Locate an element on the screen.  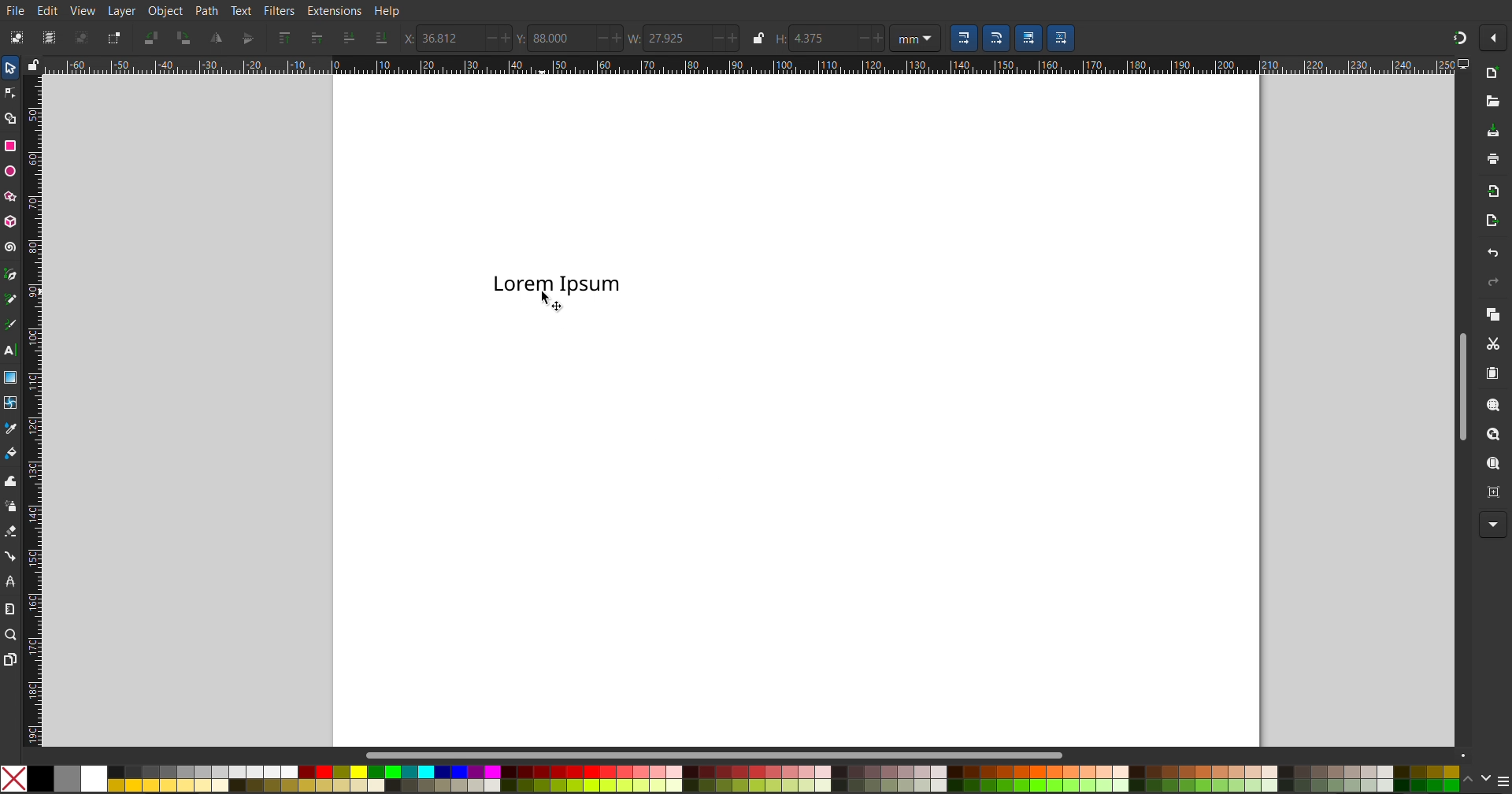
Copy is located at coordinates (1492, 314).